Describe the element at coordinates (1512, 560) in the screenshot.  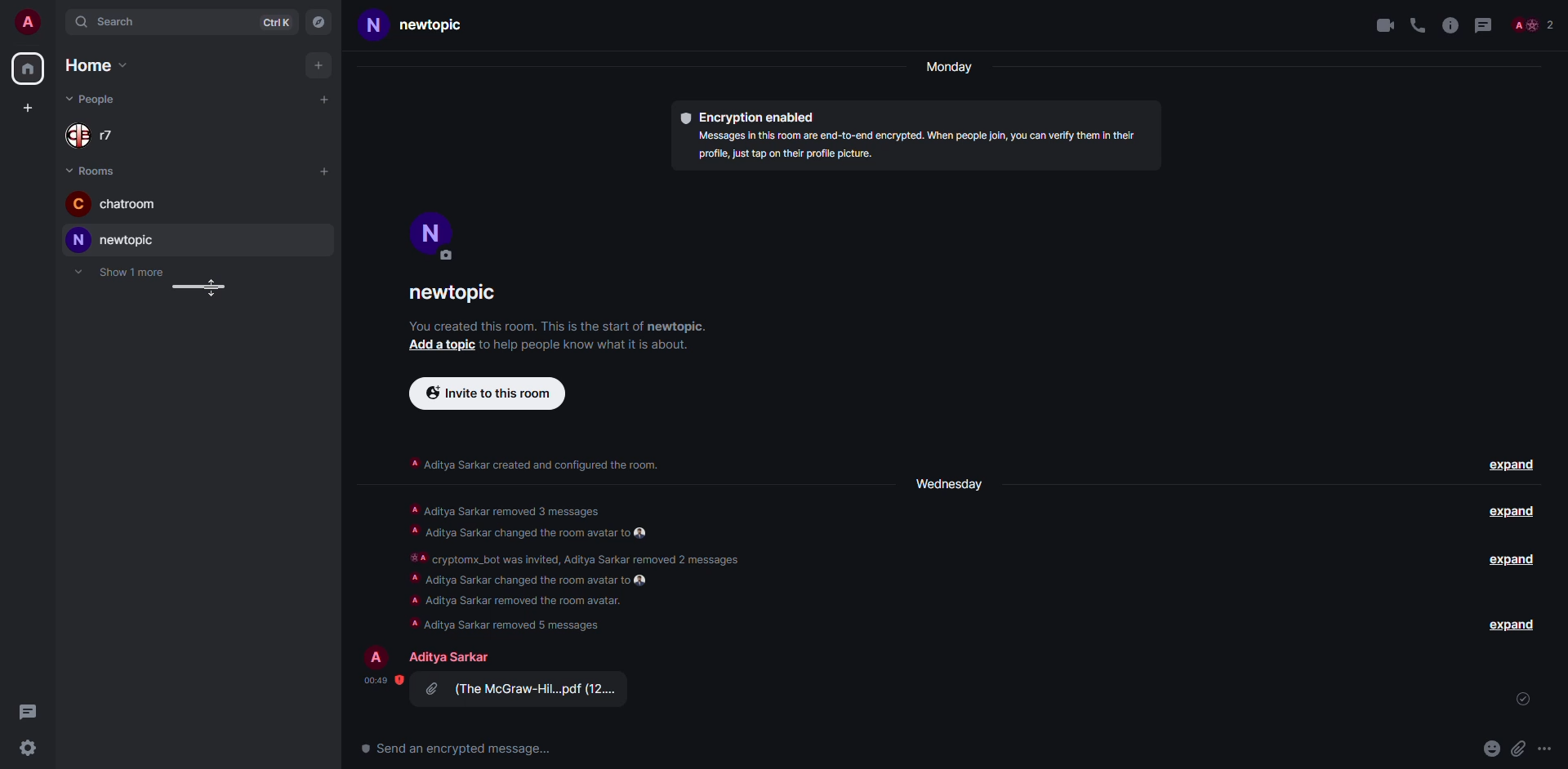
I see `expand` at that location.